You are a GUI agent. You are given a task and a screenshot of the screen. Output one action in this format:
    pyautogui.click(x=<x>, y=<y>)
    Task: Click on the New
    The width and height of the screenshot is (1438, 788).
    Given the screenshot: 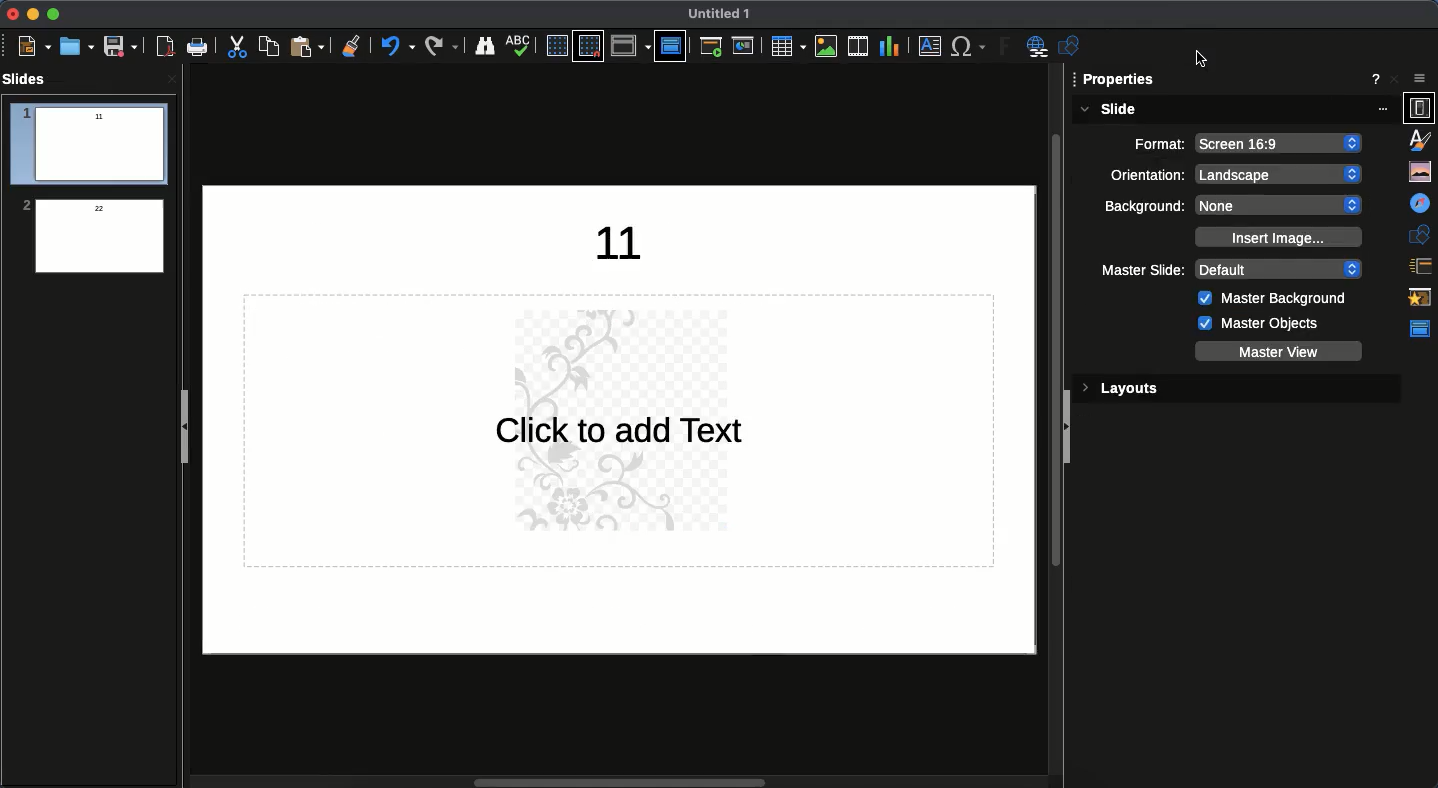 What is the action you would take?
    pyautogui.click(x=34, y=47)
    